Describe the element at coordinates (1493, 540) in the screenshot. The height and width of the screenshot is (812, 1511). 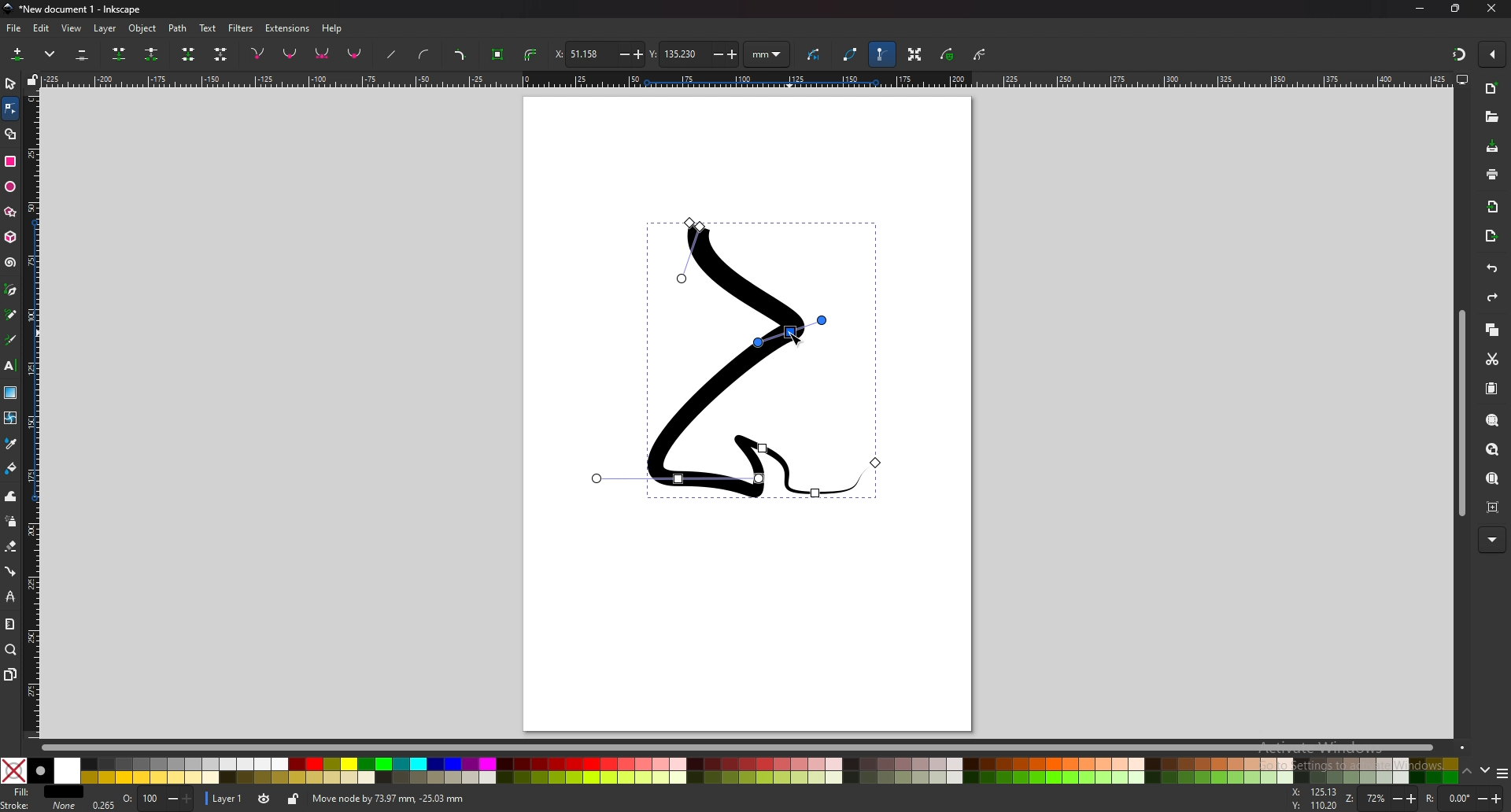
I see `` at that location.